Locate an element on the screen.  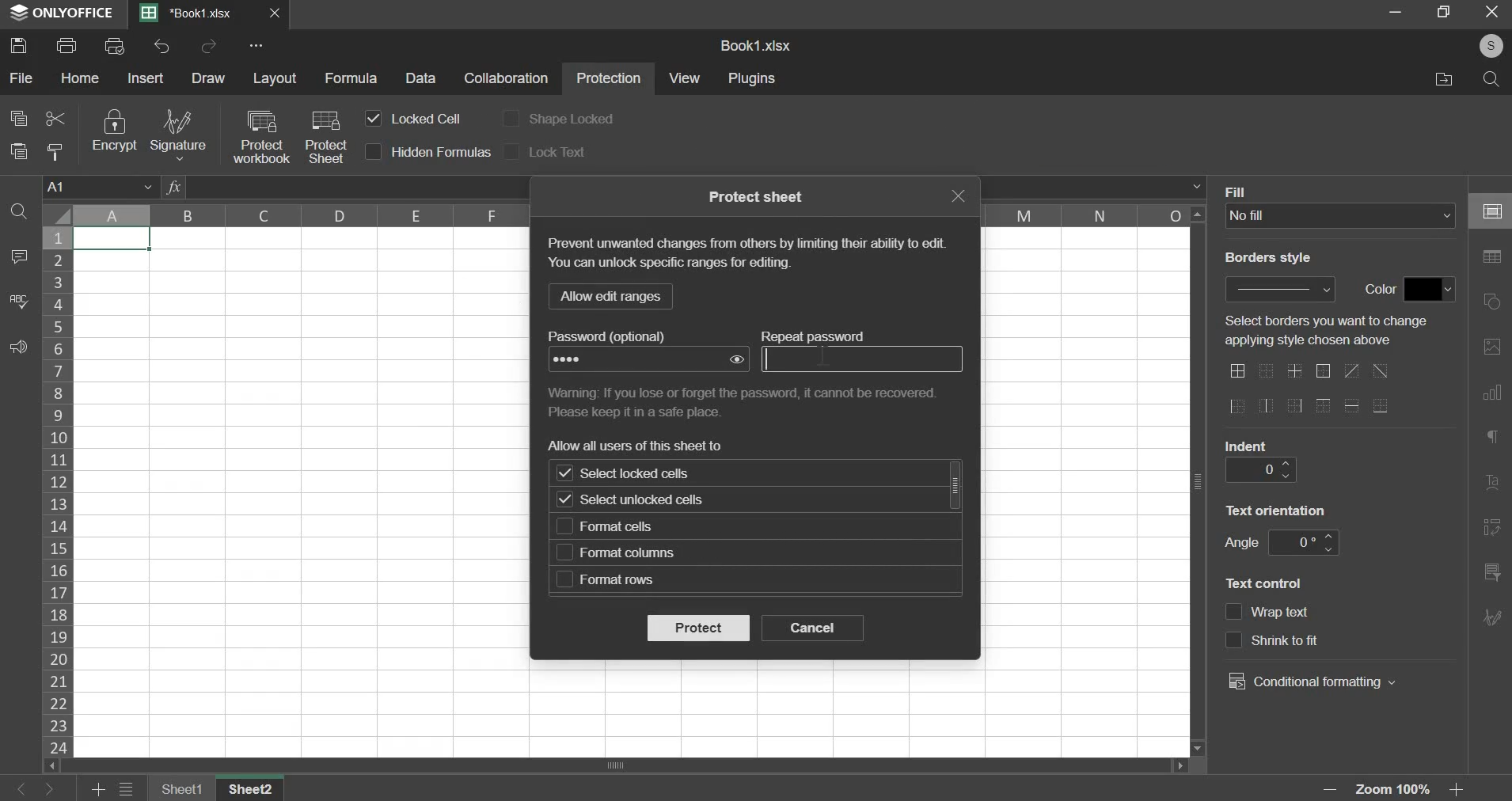
right side bar is located at coordinates (1494, 390).